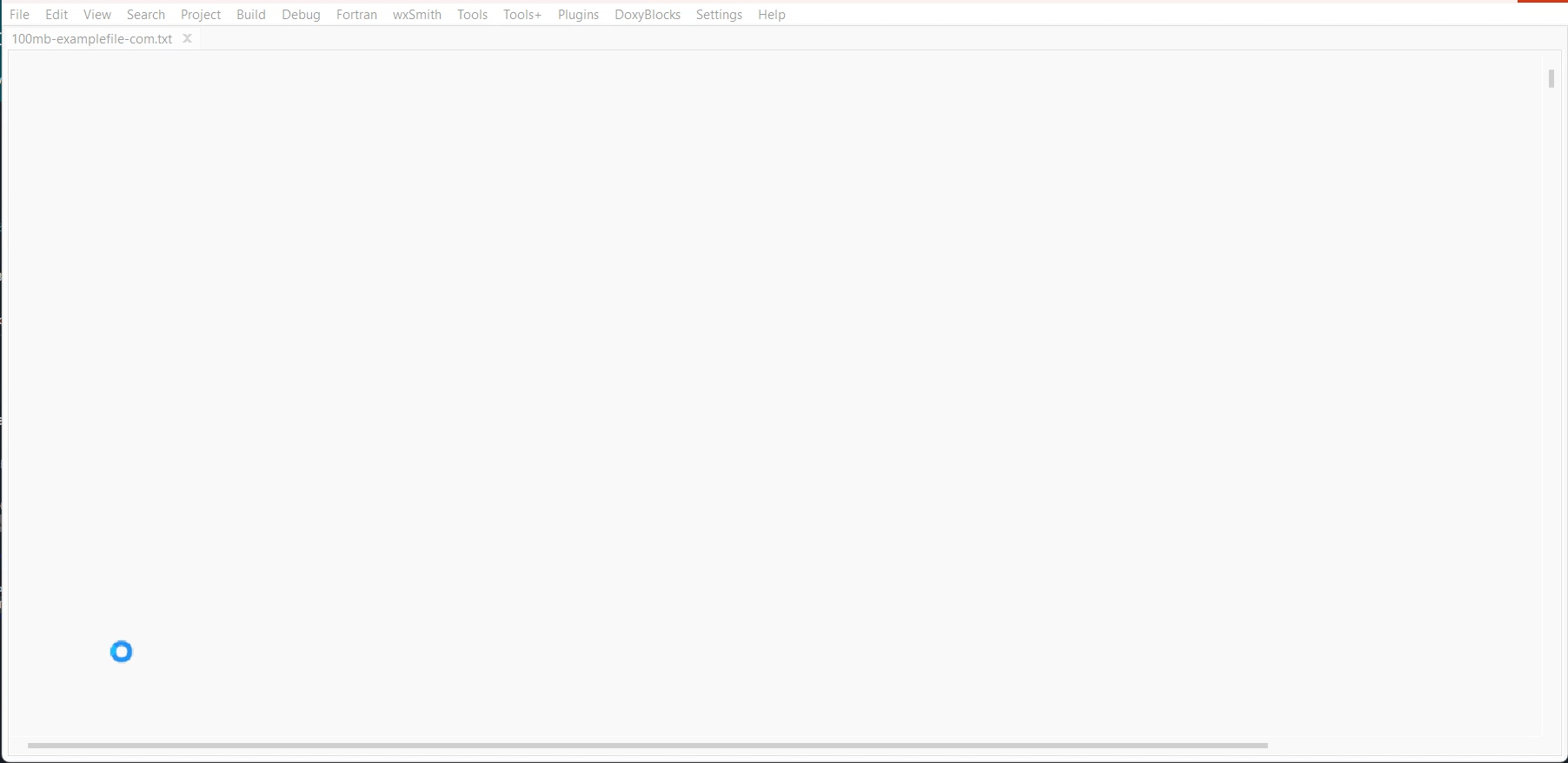 The height and width of the screenshot is (763, 1568). Describe the element at coordinates (100, 14) in the screenshot. I see `View` at that location.